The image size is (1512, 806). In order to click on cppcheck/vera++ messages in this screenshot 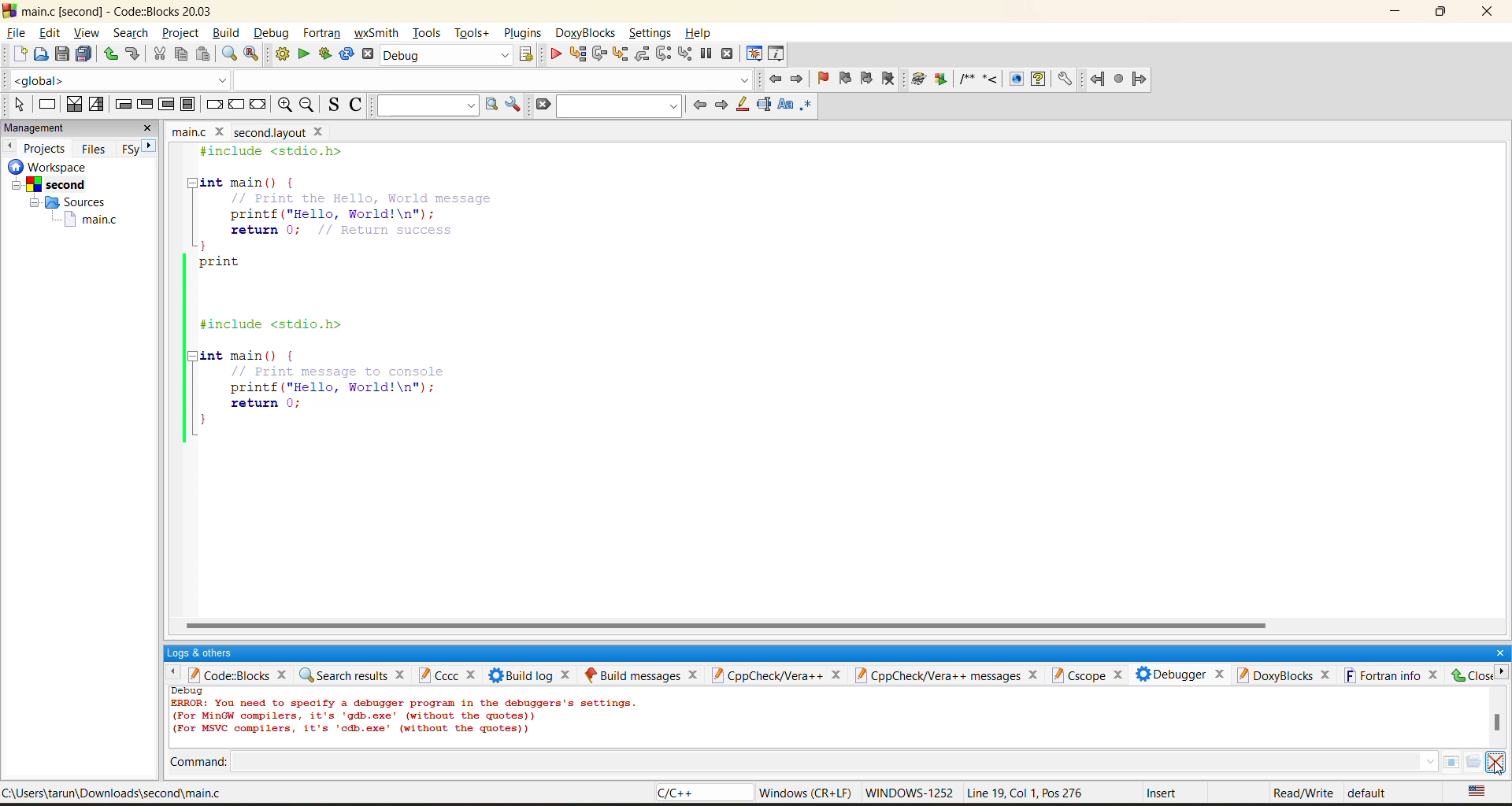, I will do `click(951, 675)`.